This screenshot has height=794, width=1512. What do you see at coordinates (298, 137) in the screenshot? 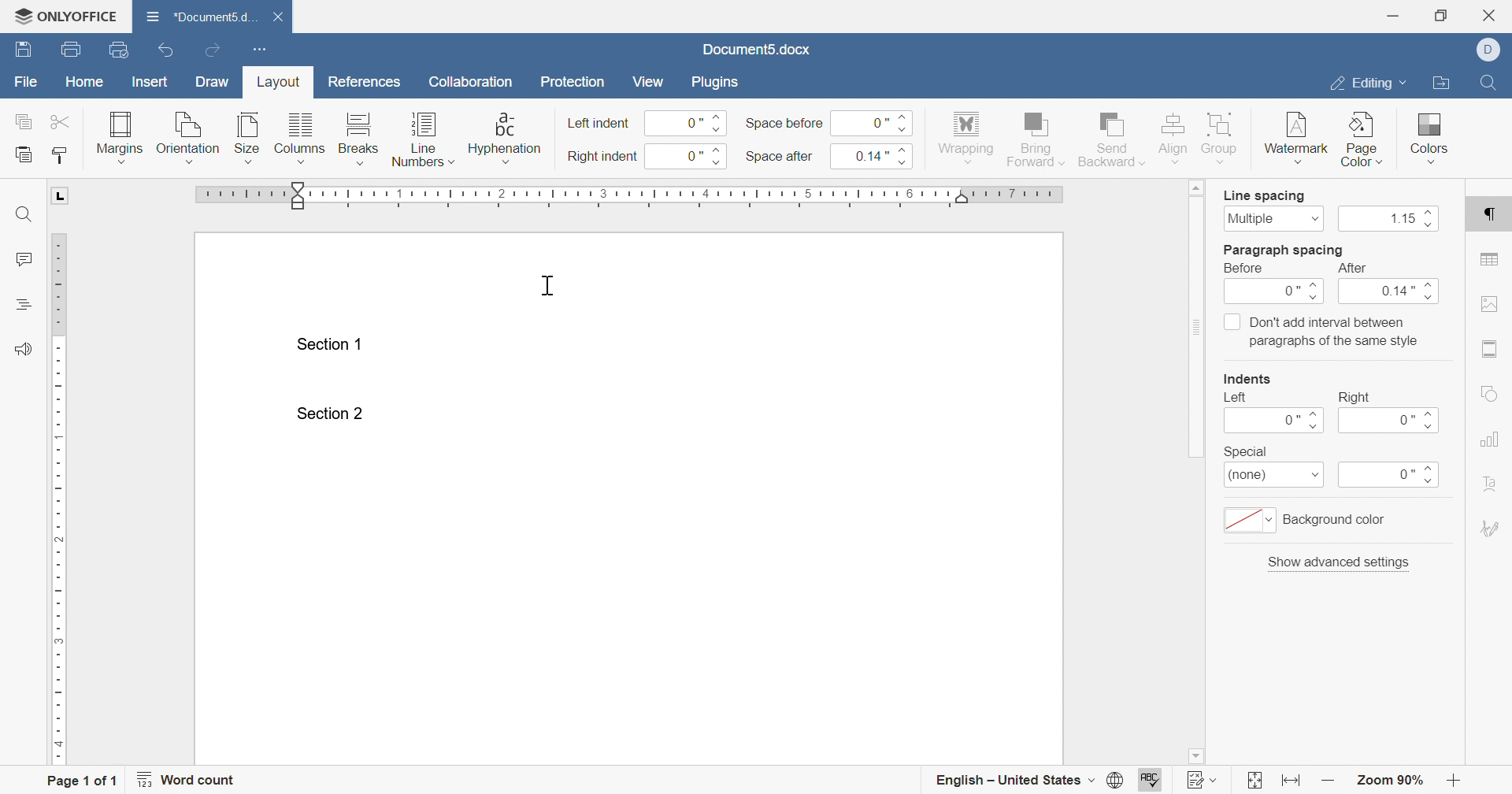
I see `columns` at bounding box center [298, 137].